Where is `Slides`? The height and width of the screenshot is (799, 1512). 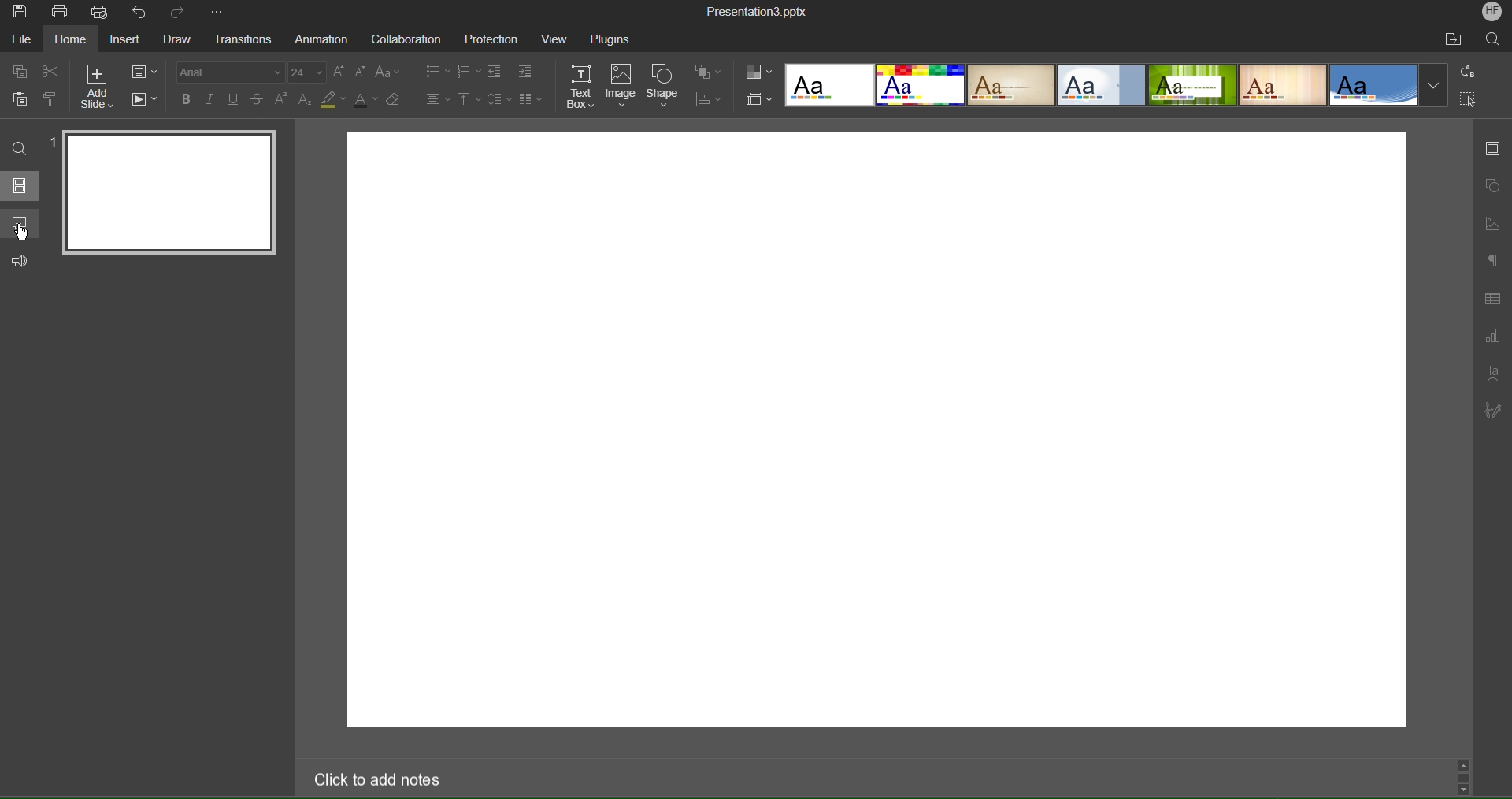 Slides is located at coordinates (20, 185).